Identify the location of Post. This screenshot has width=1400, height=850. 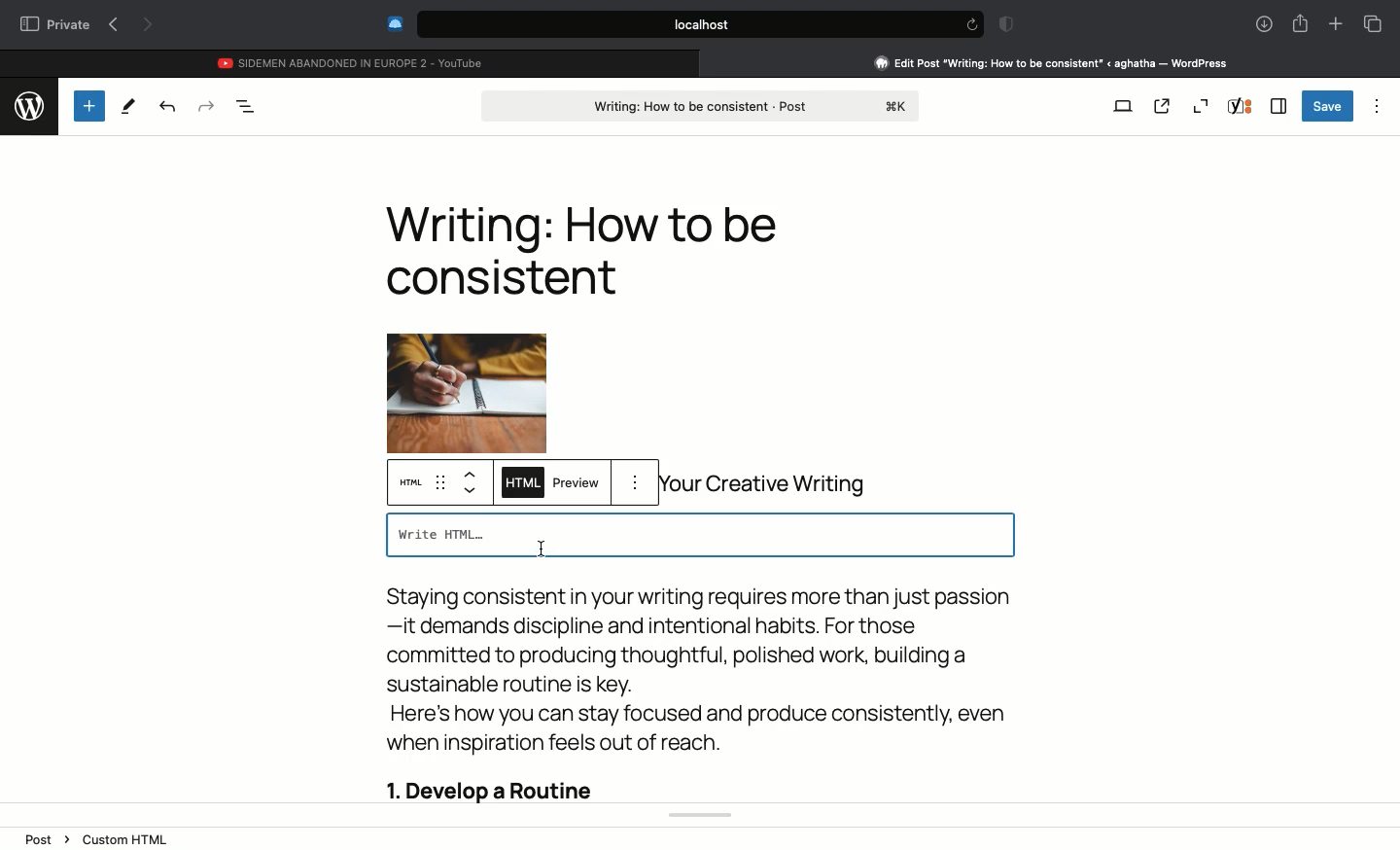
(703, 104).